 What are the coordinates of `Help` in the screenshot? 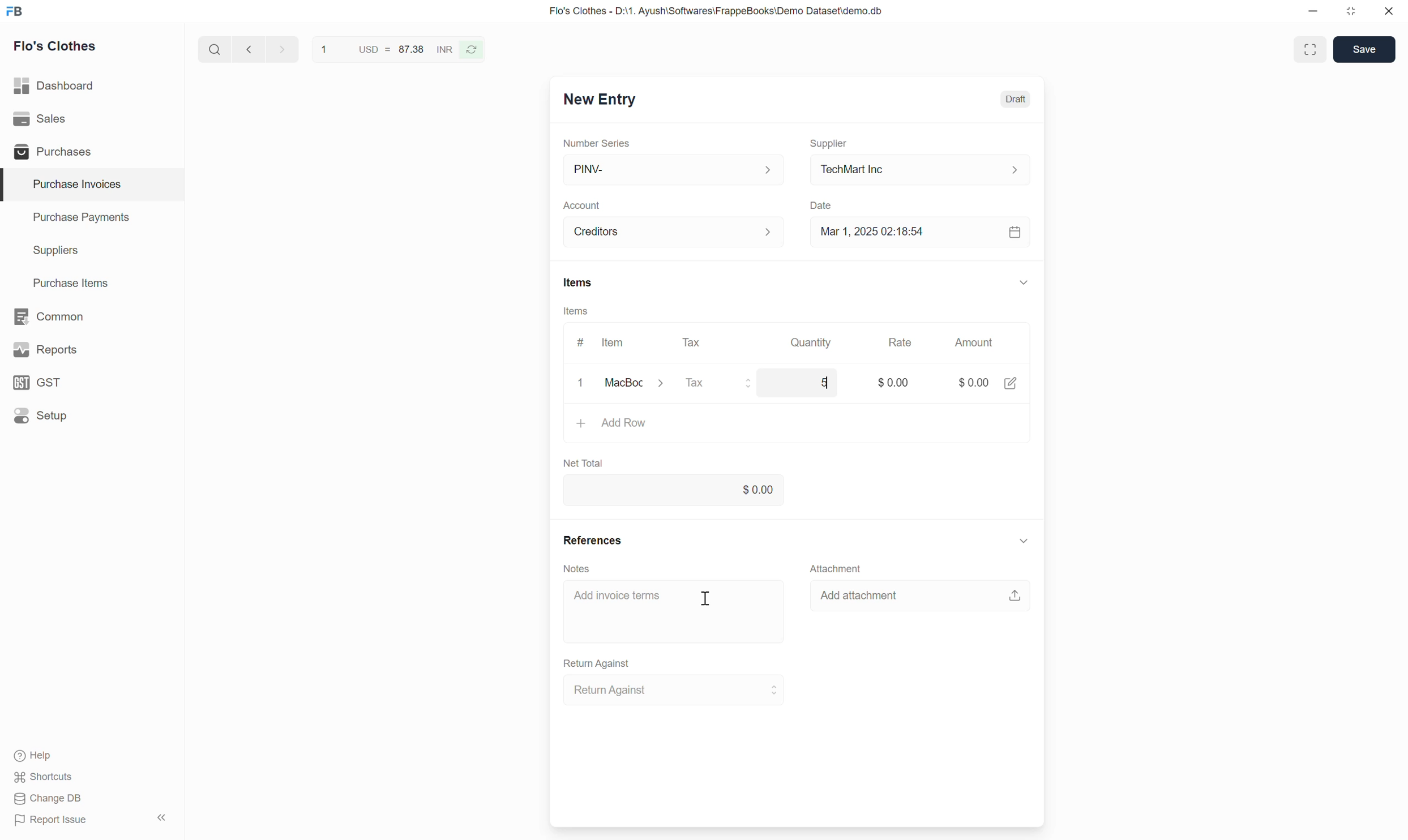 It's located at (38, 756).